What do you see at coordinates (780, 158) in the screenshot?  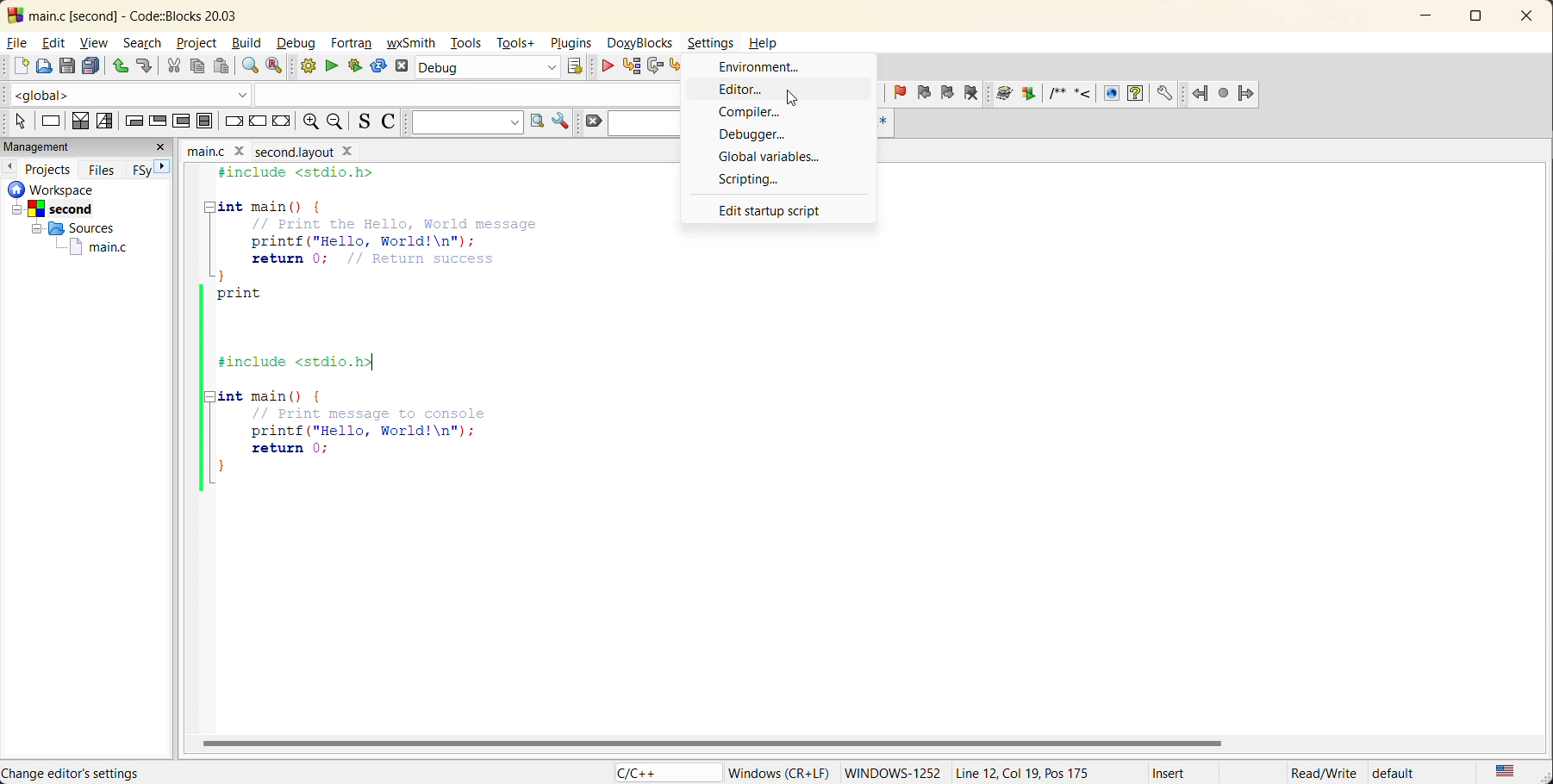 I see `global variables` at bounding box center [780, 158].